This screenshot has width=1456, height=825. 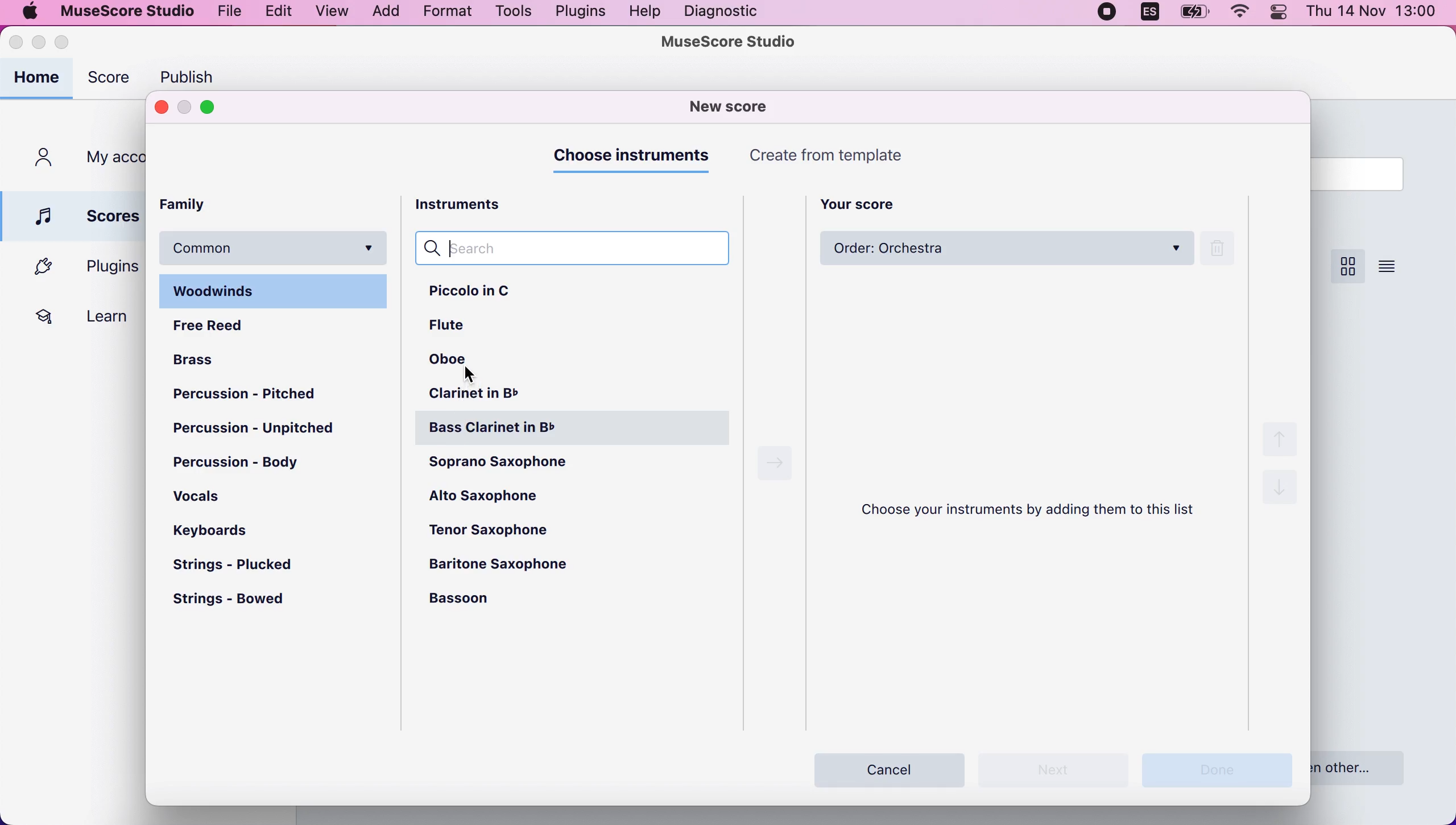 What do you see at coordinates (39, 79) in the screenshot?
I see `home` at bounding box center [39, 79].